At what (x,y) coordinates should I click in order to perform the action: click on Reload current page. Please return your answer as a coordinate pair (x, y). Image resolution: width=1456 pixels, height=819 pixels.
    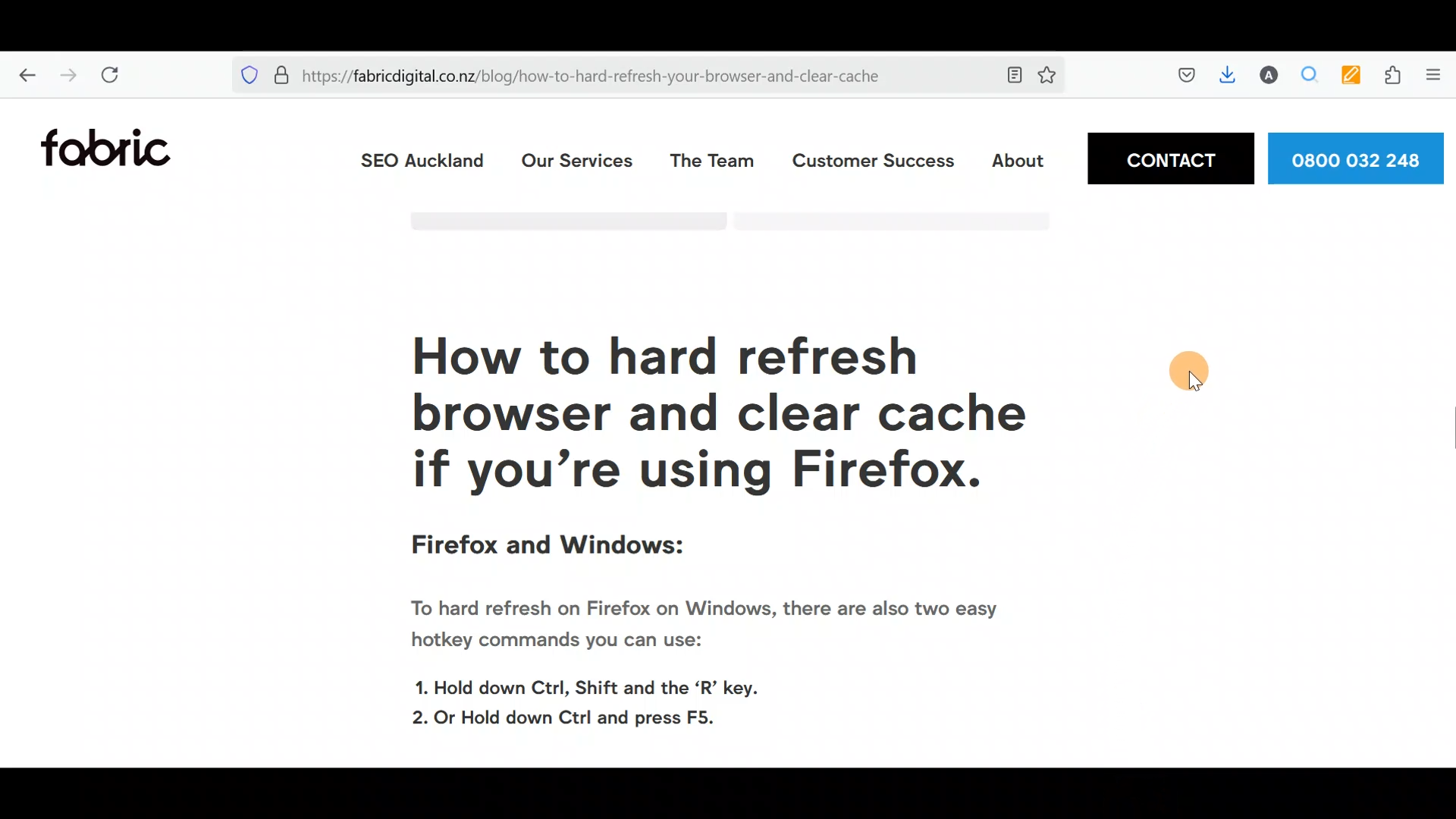
    Looking at the image, I should click on (115, 75).